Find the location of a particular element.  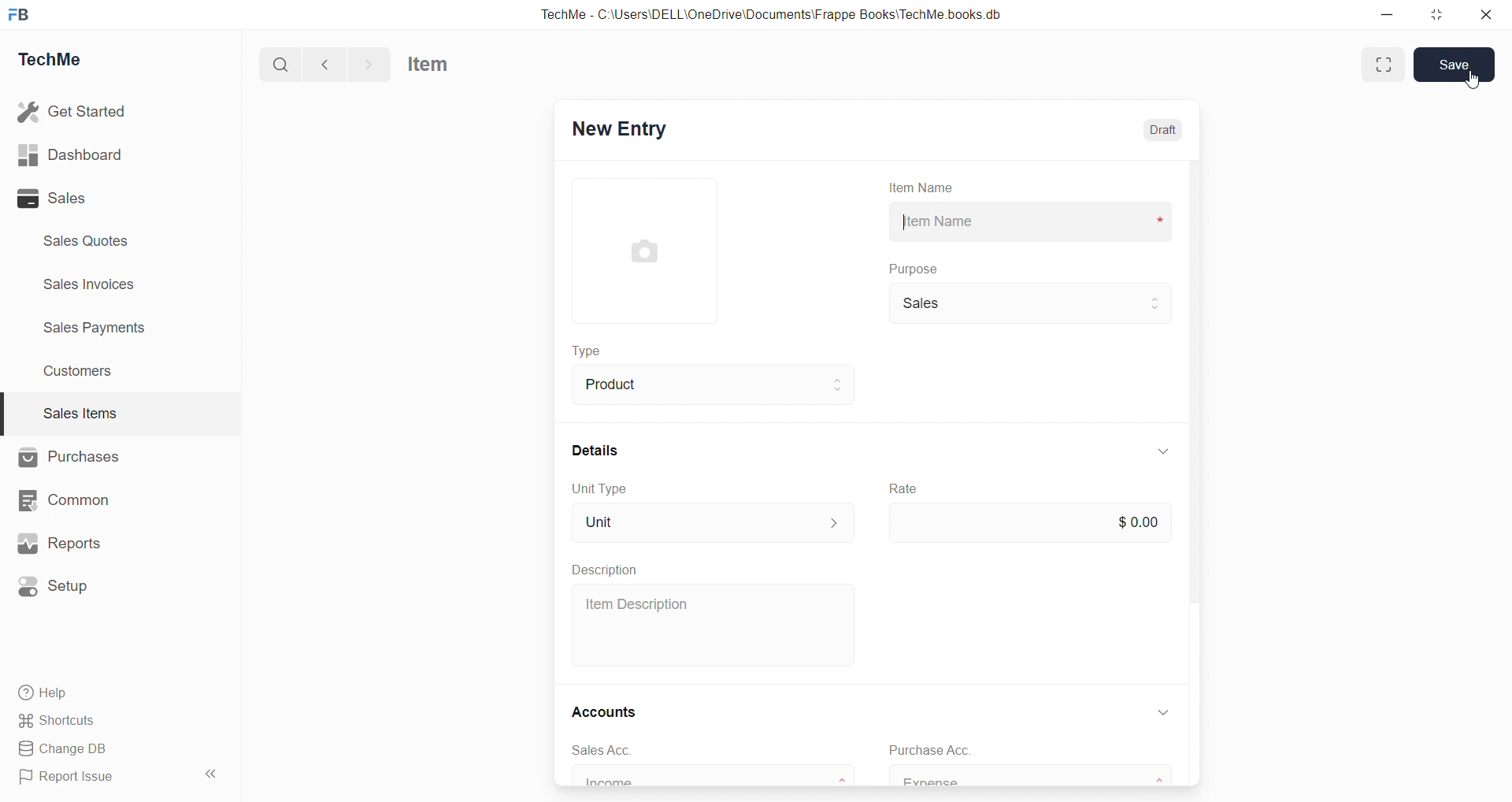

image is located at coordinates (643, 251).